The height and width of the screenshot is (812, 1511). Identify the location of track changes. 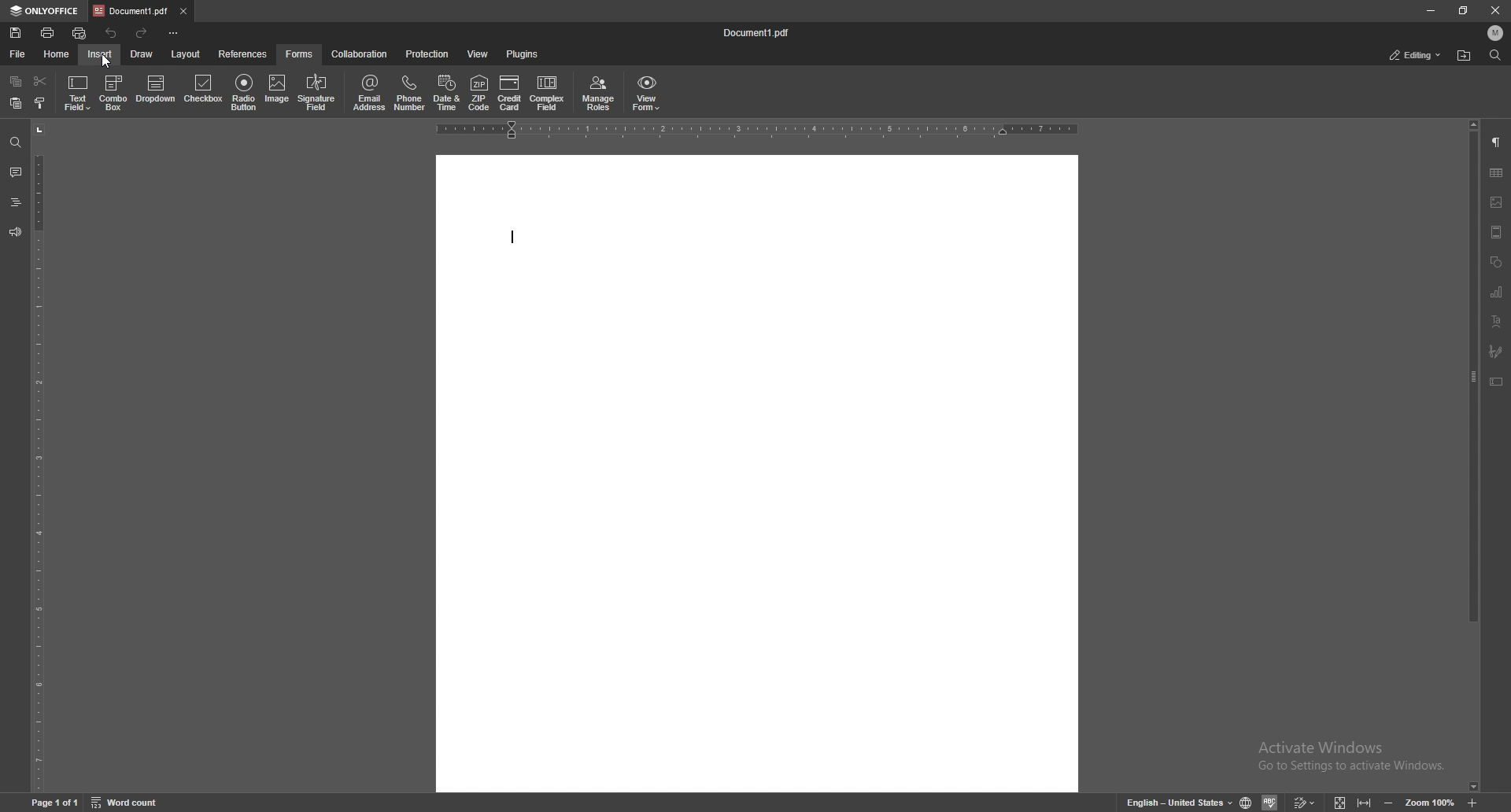
(1306, 802).